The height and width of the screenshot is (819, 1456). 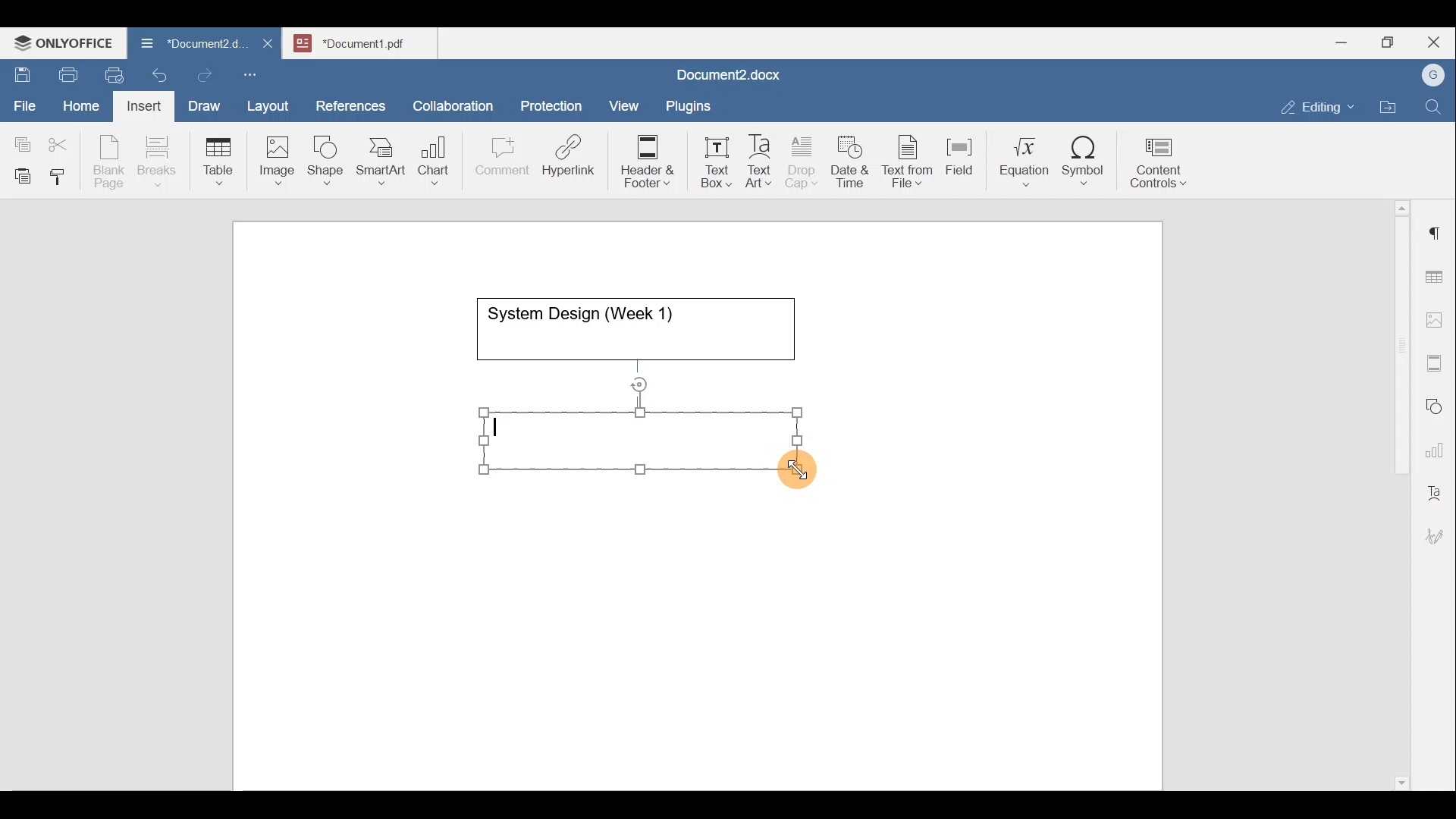 I want to click on Signature settings, so click(x=1439, y=531).